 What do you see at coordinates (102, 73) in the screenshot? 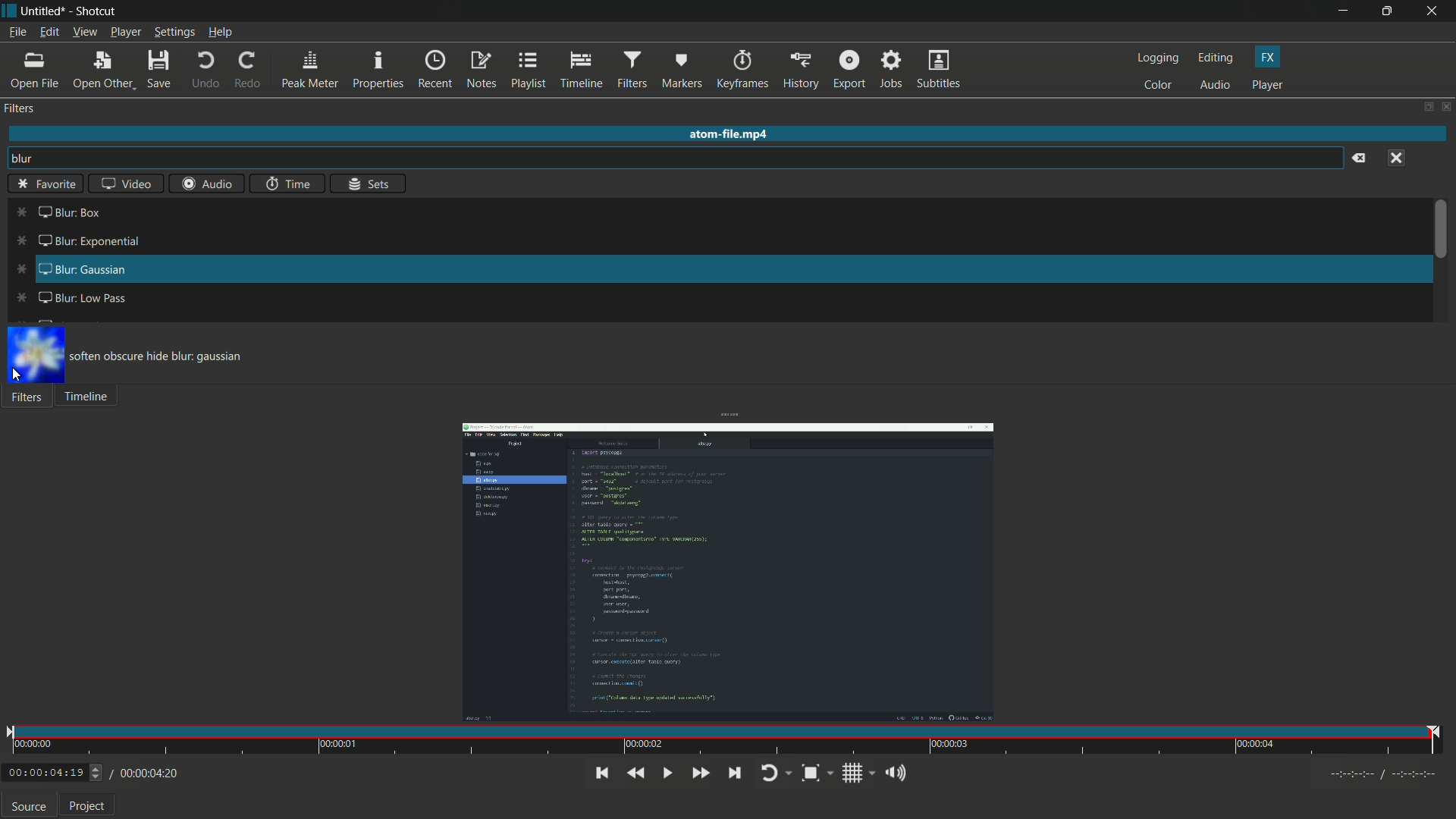
I see `open other` at bounding box center [102, 73].